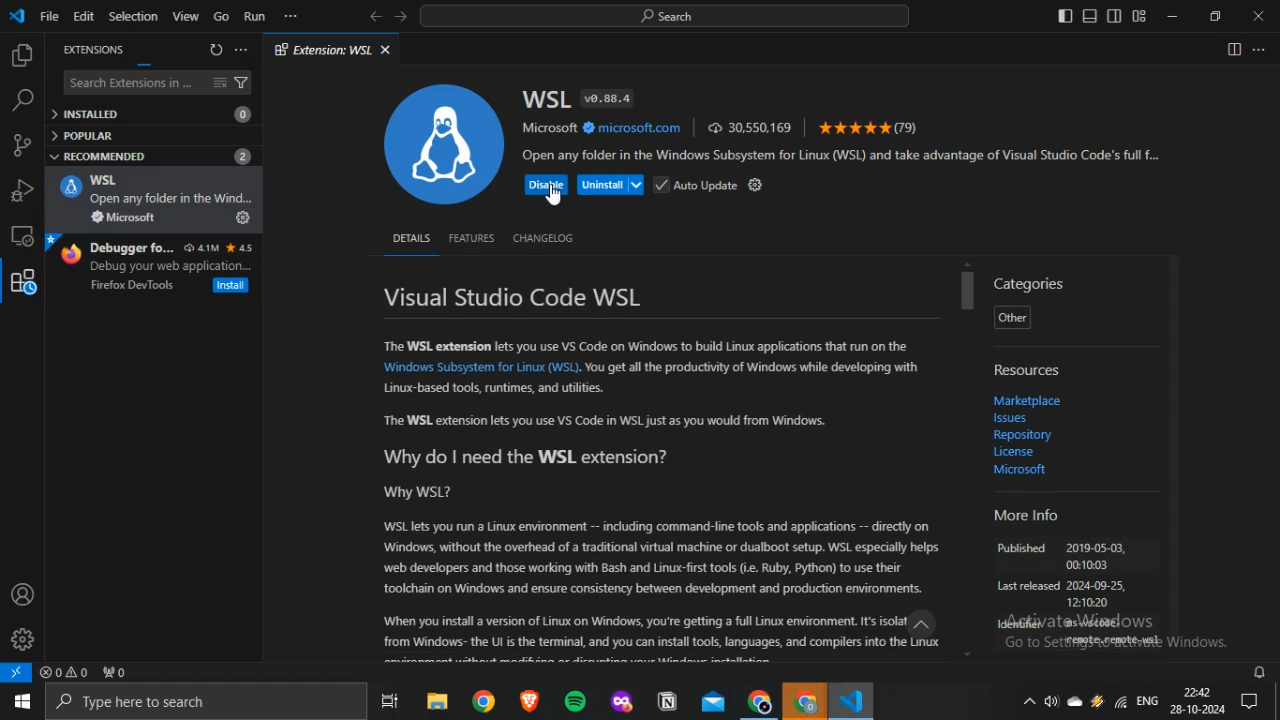  I want to click on no problems, so click(64, 672).